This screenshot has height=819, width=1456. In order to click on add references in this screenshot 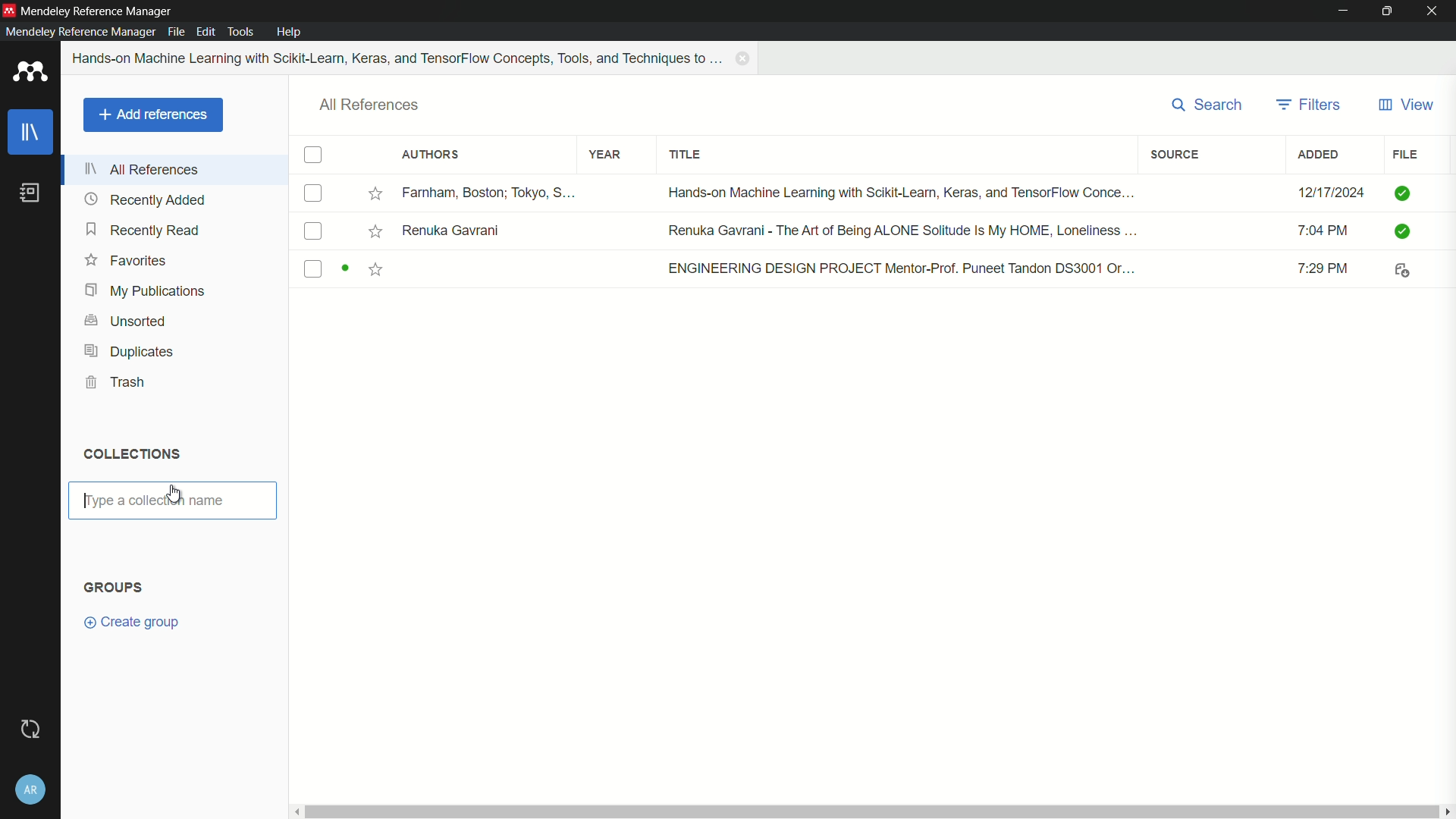, I will do `click(152, 115)`.